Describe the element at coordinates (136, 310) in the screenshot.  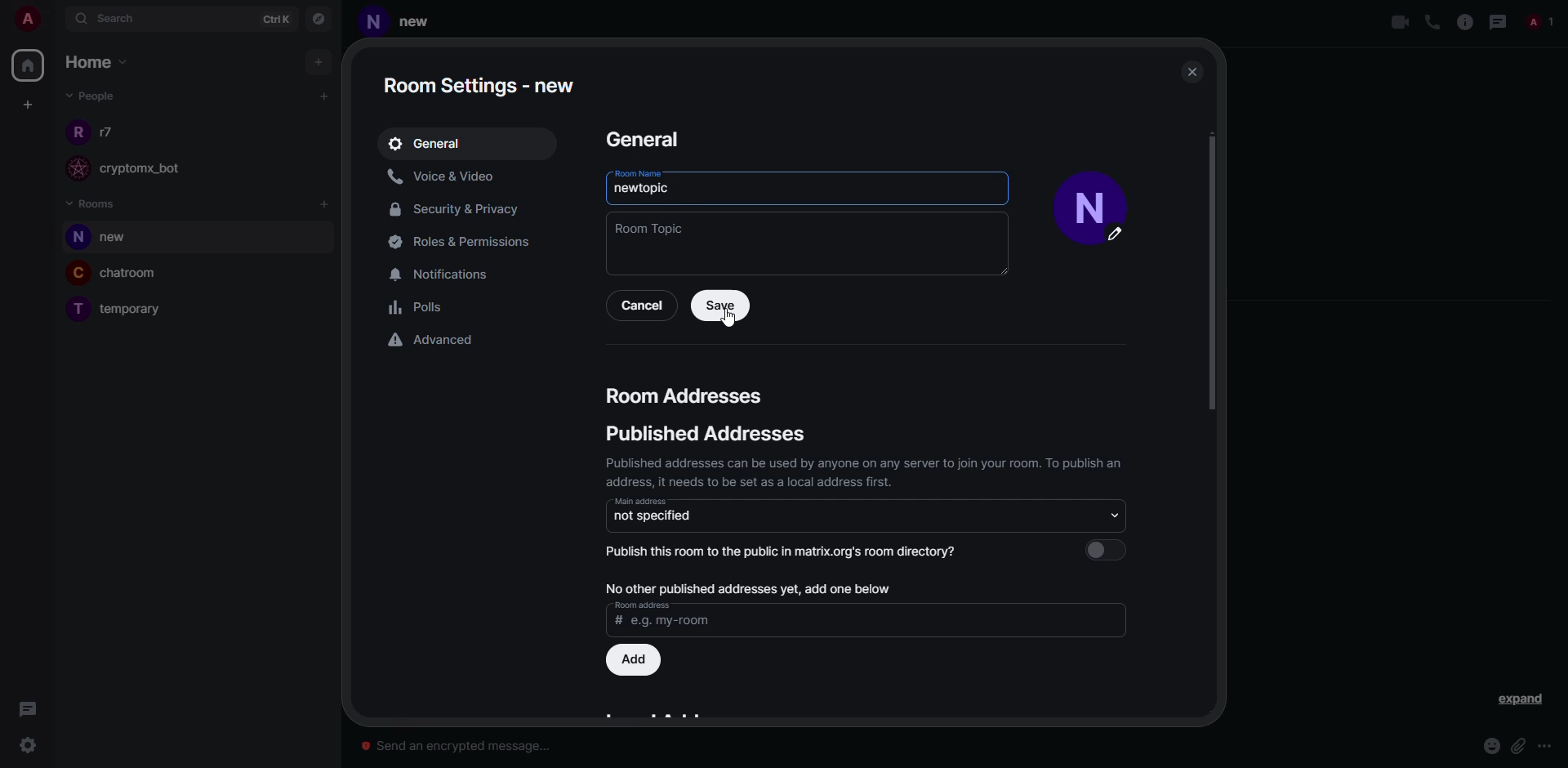
I see `room` at that location.